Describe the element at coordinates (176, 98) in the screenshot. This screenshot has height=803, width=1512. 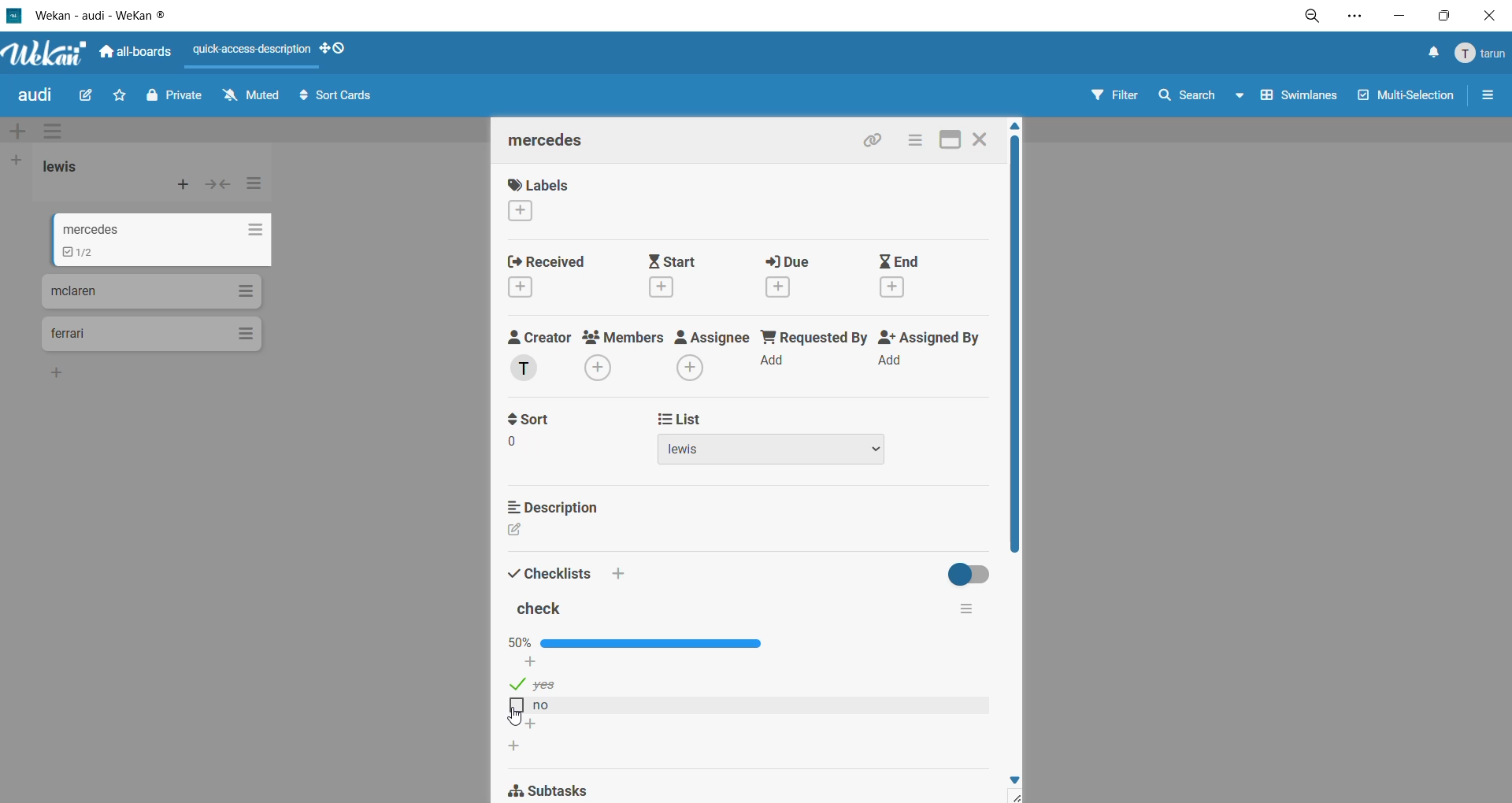
I see `private` at that location.